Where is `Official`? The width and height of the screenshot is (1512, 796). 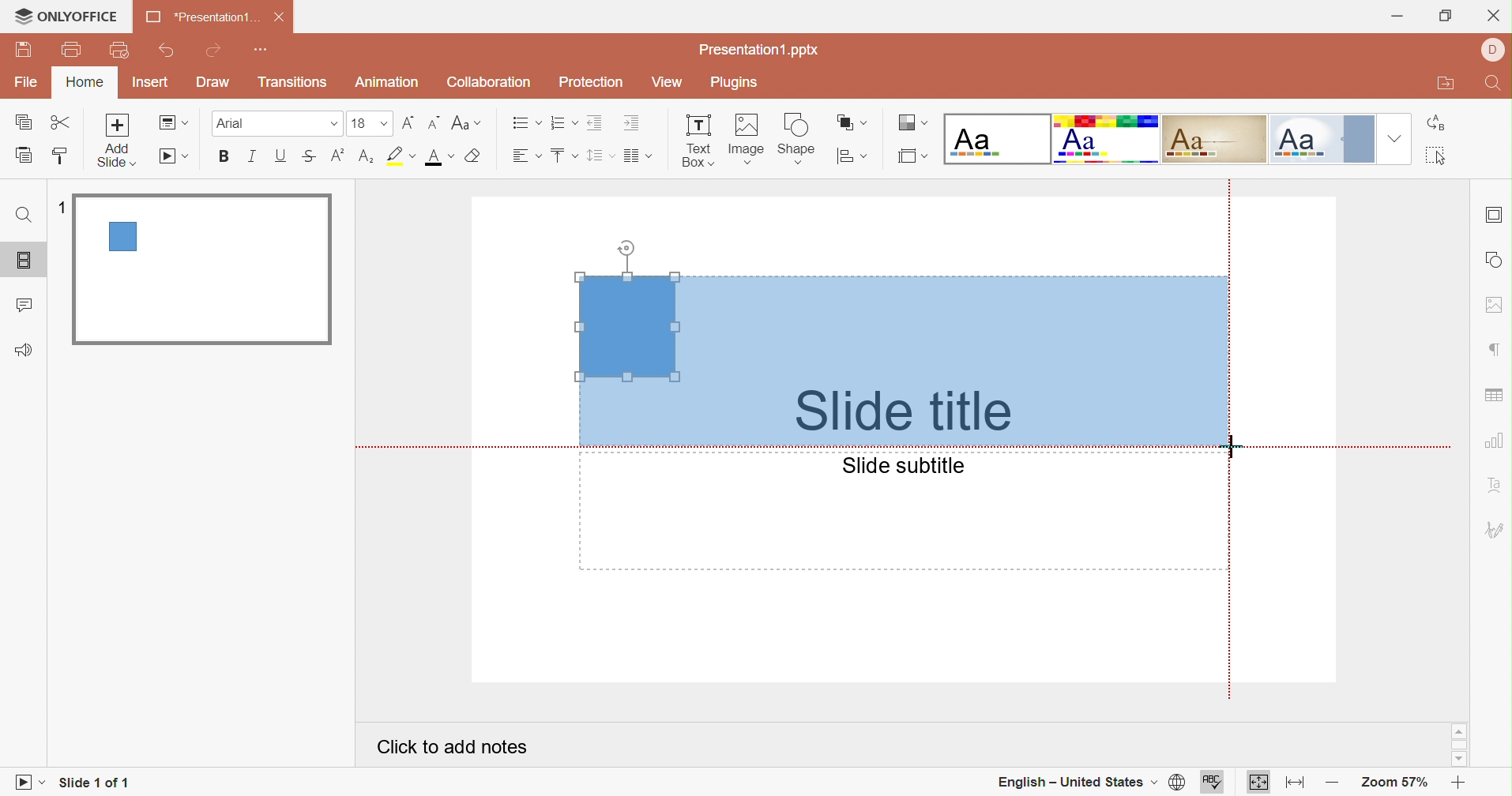
Official is located at coordinates (1322, 139).